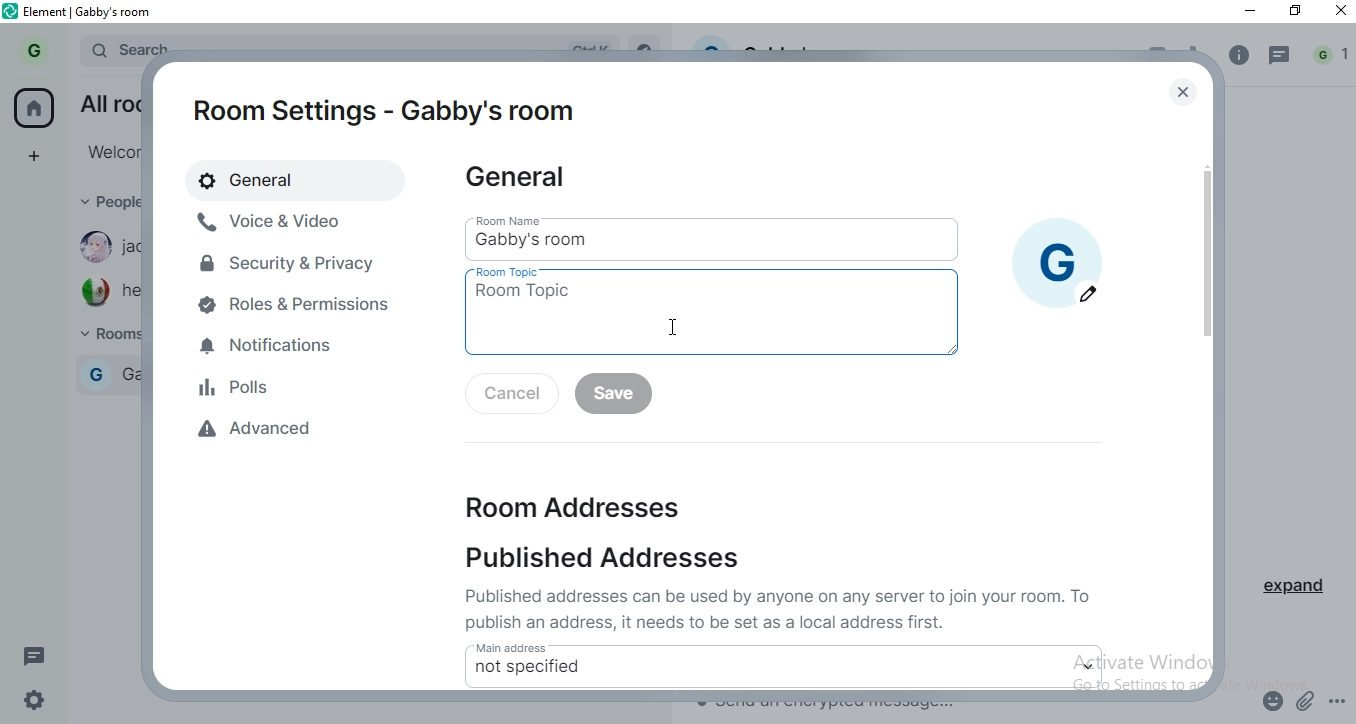 The width and height of the screenshot is (1356, 724). What do you see at coordinates (614, 396) in the screenshot?
I see `save` at bounding box center [614, 396].